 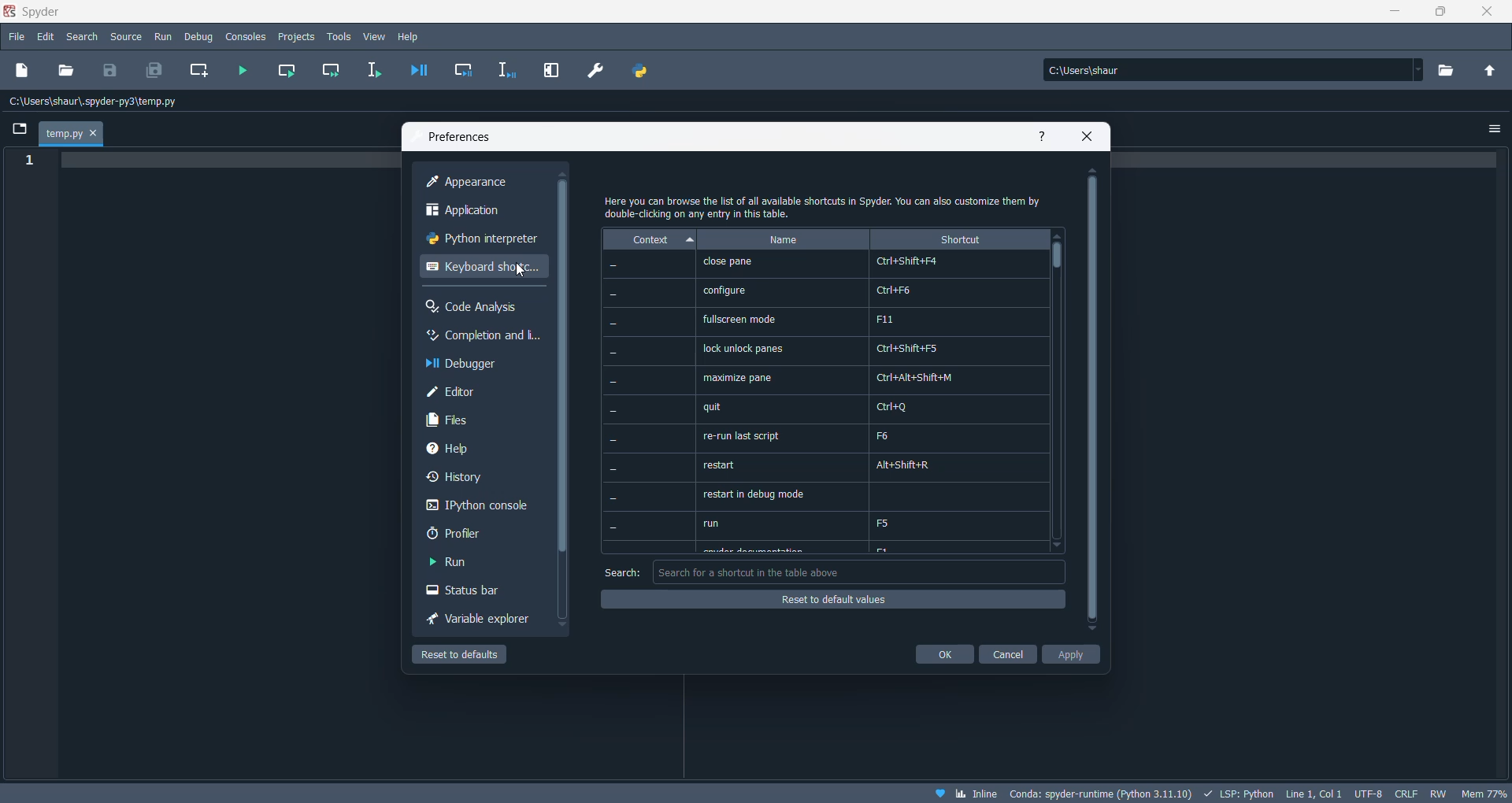 What do you see at coordinates (475, 509) in the screenshot?
I see `ipython console` at bounding box center [475, 509].